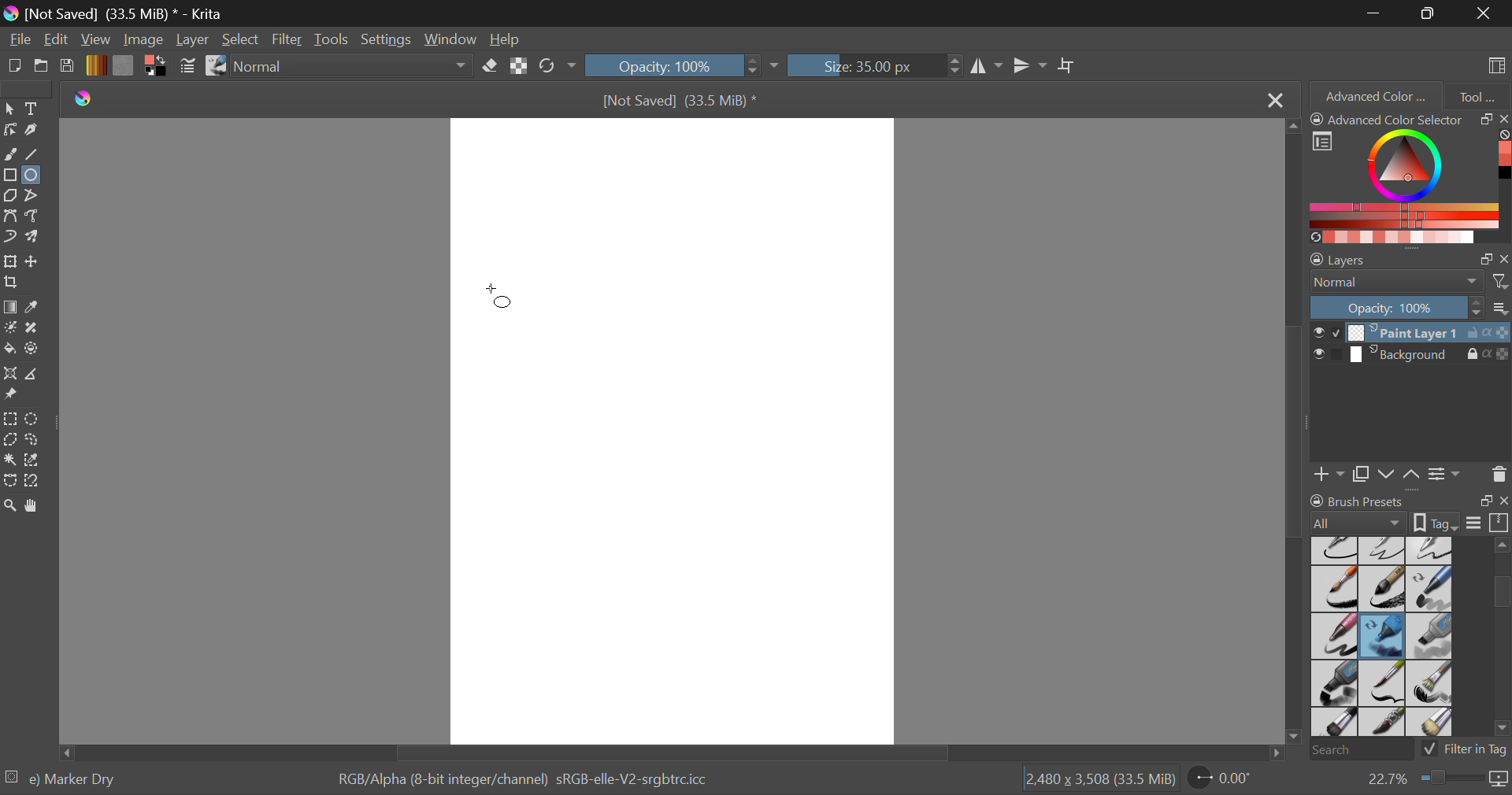 The height and width of the screenshot is (795, 1512). Describe the element at coordinates (1494, 64) in the screenshot. I see `Choose Workspace` at that location.